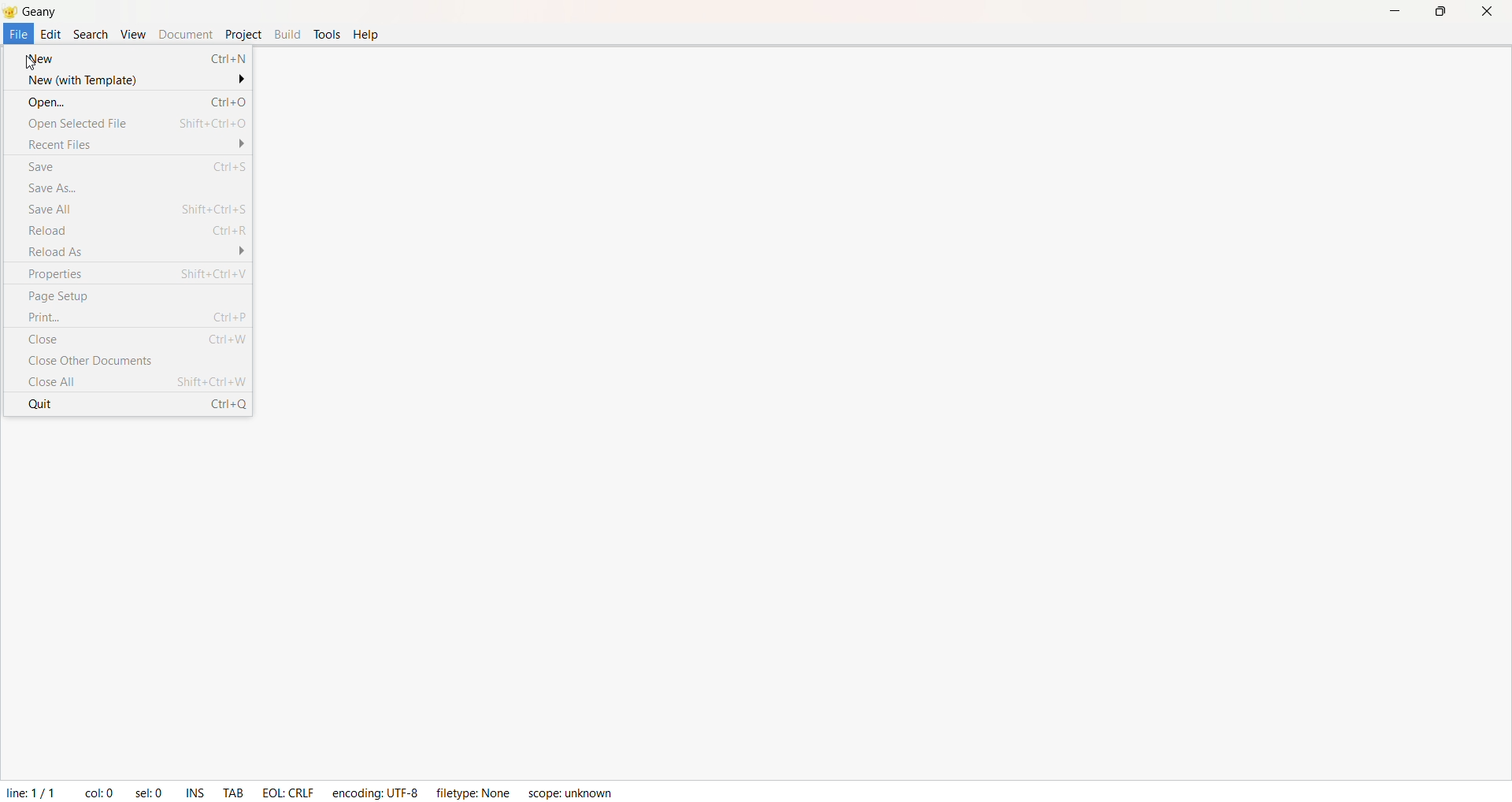  What do you see at coordinates (195, 790) in the screenshot?
I see `INS` at bounding box center [195, 790].